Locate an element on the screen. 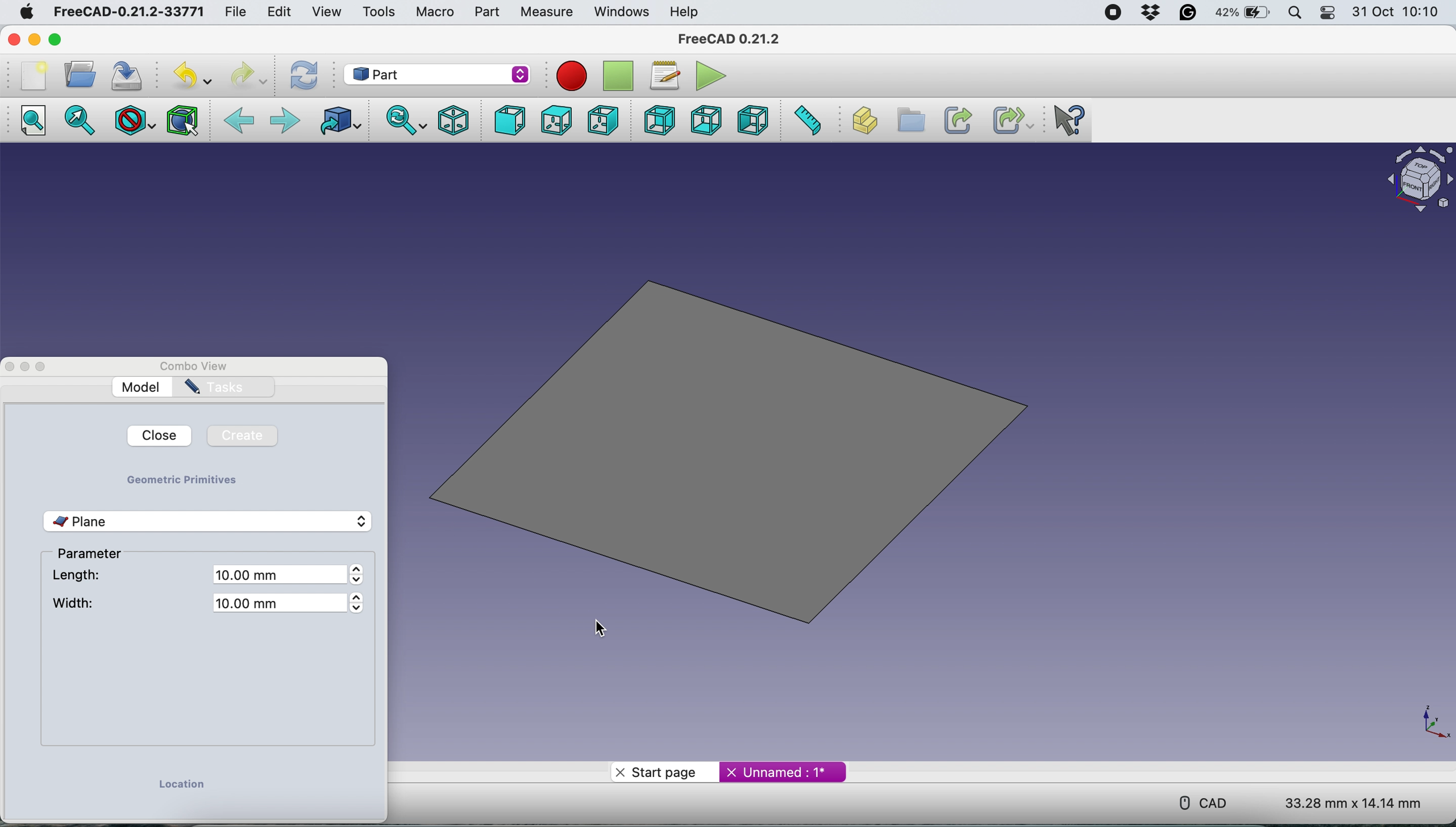 The height and width of the screenshot is (827, 1456). Object interface is located at coordinates (1418, 183).